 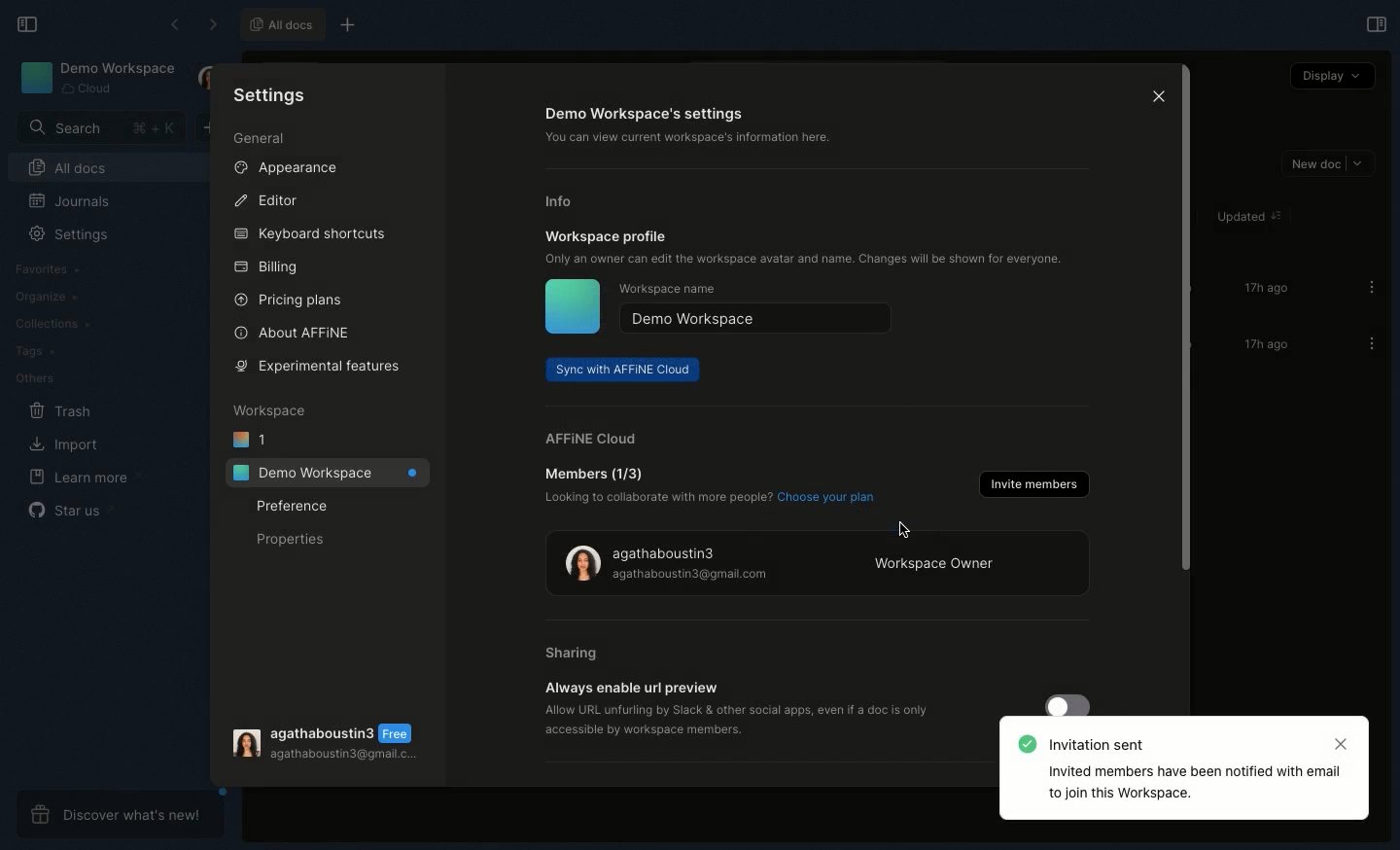 What do you see at coordinates (69, 200) in the screenshot?
I see `Journals` at bounding box center [69, 200].